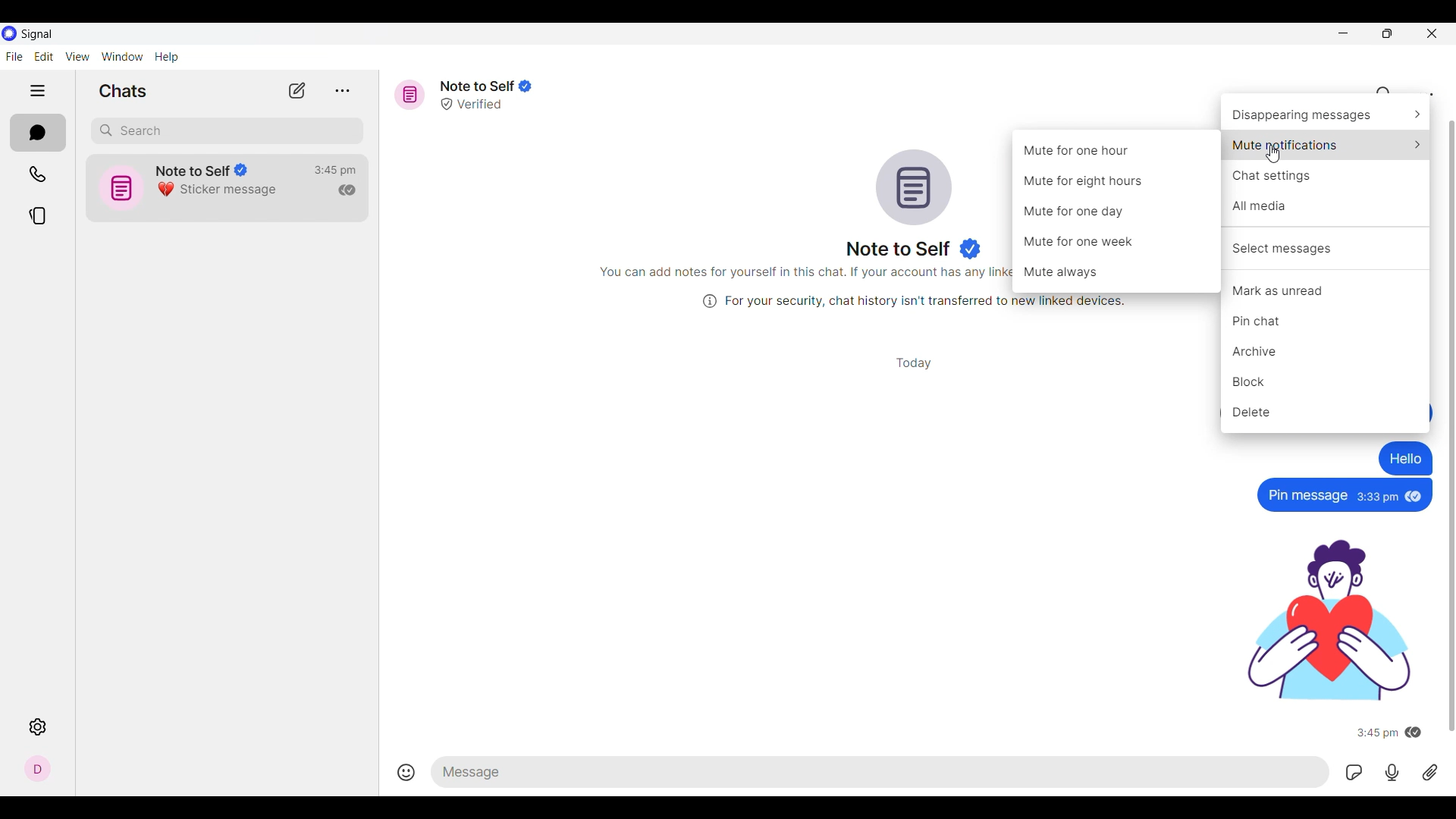  I want to click on Pin message, so click(1306, 495).